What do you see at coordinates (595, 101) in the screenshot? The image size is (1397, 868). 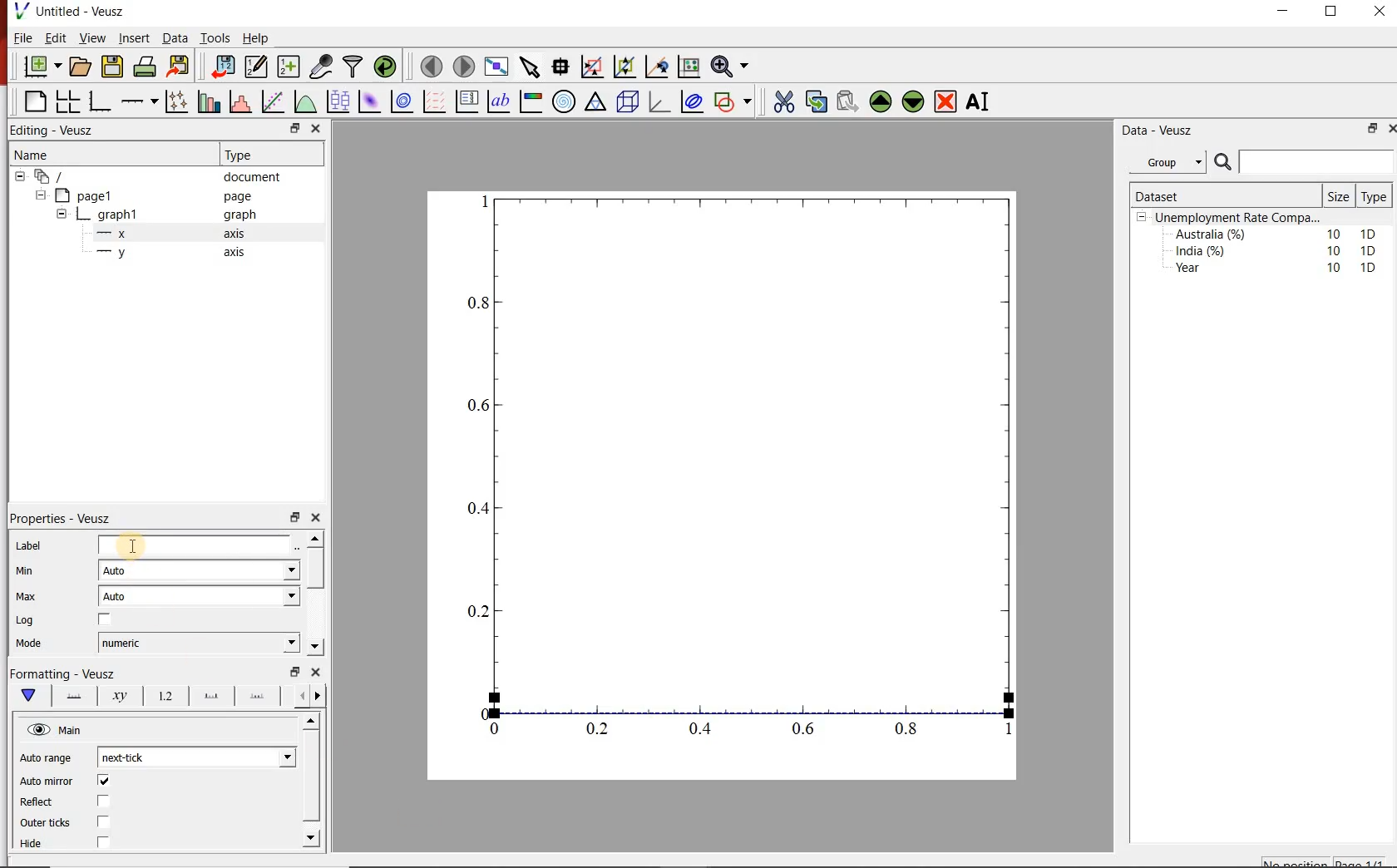 I see `ternary graph` at bounding box center [595, 101].